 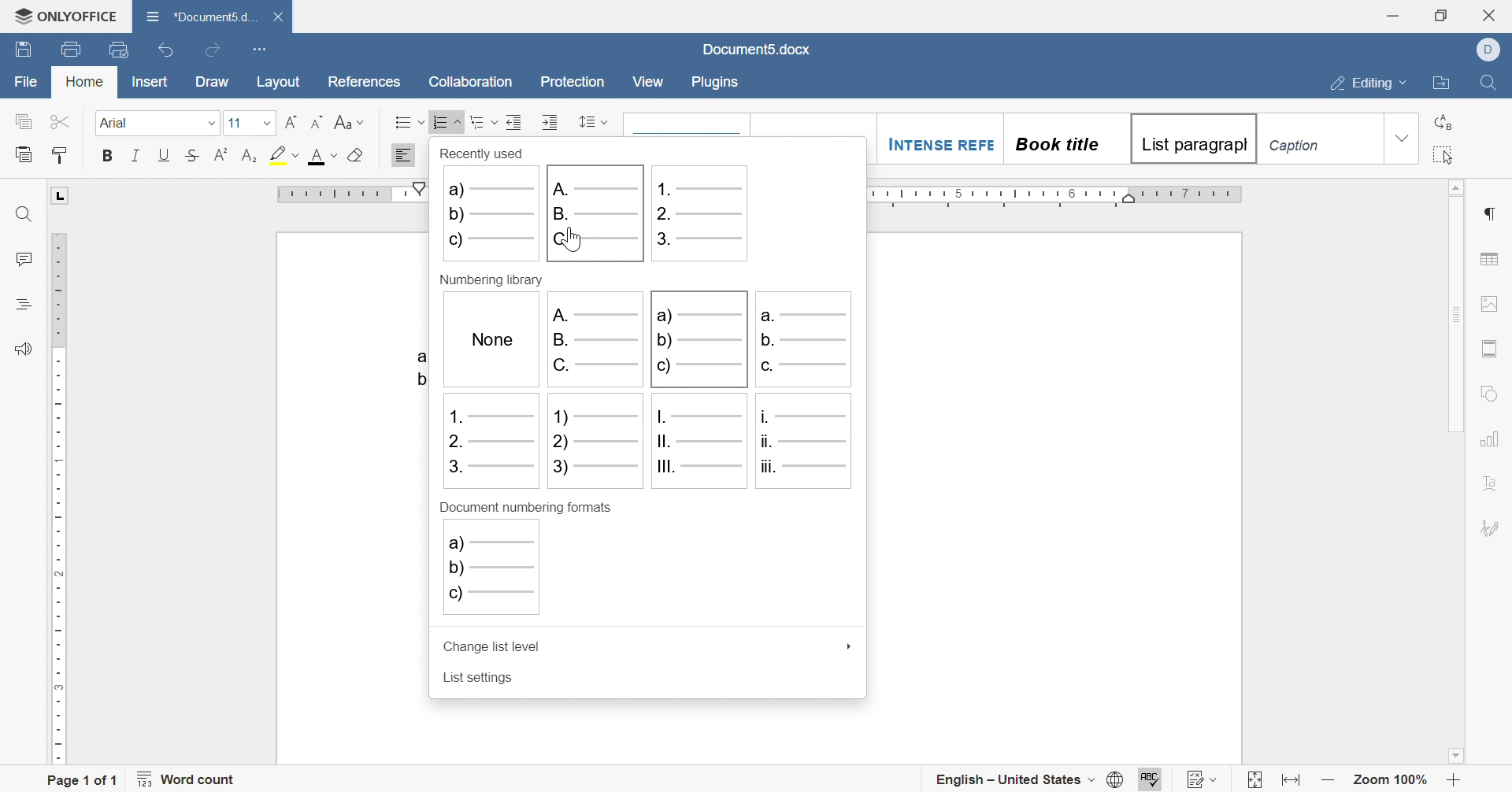 What do you see at coordinates (117, 123) in the screenshot?
I see `arial` at bounding box center [117, 123].